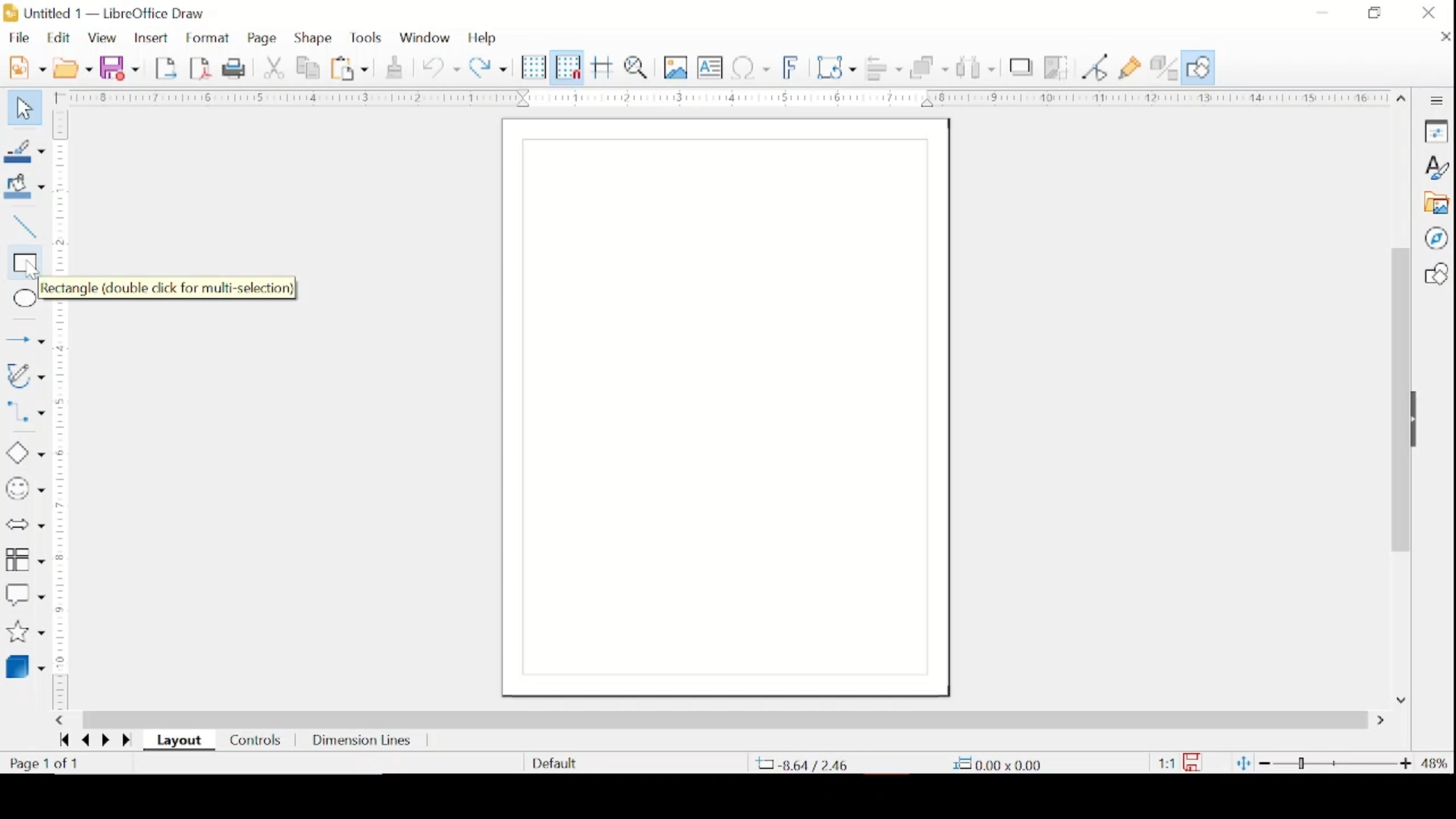 The image size is (1456, 819). Describe the element at coordinates (27, 66) in the screenshot. I see `new` at that location.